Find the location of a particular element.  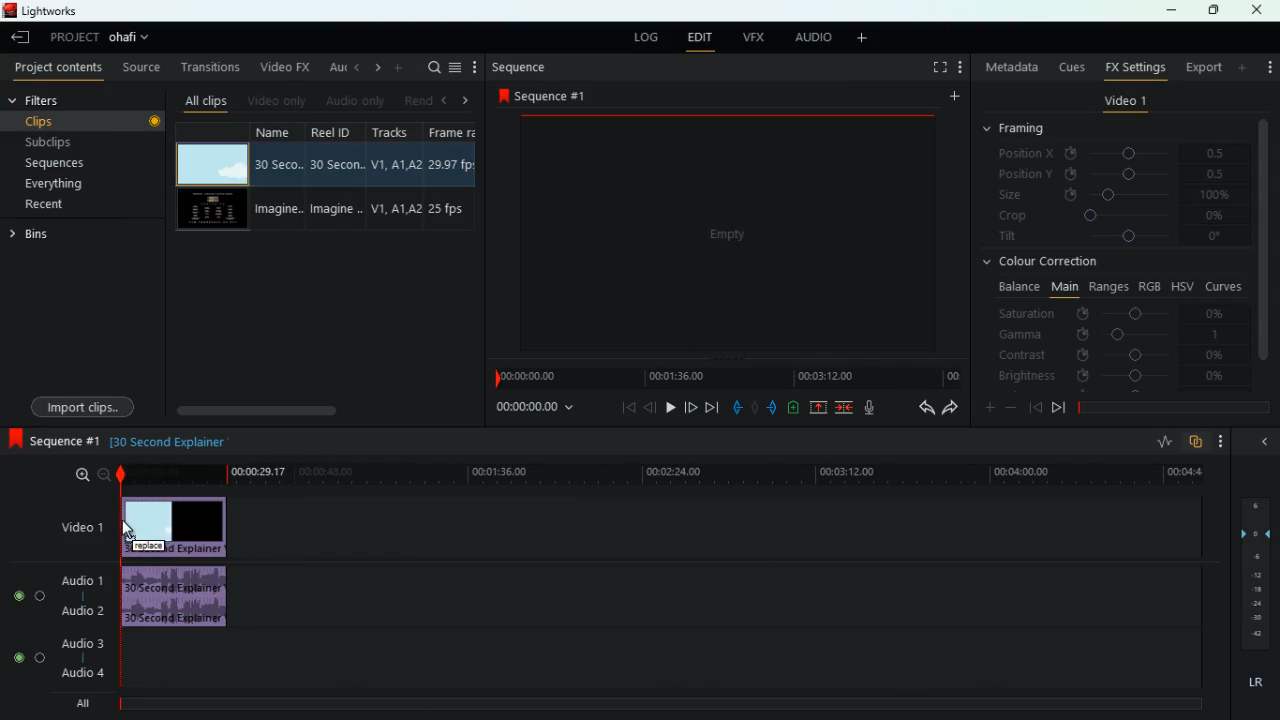

au is located at coordinates (334, 67).